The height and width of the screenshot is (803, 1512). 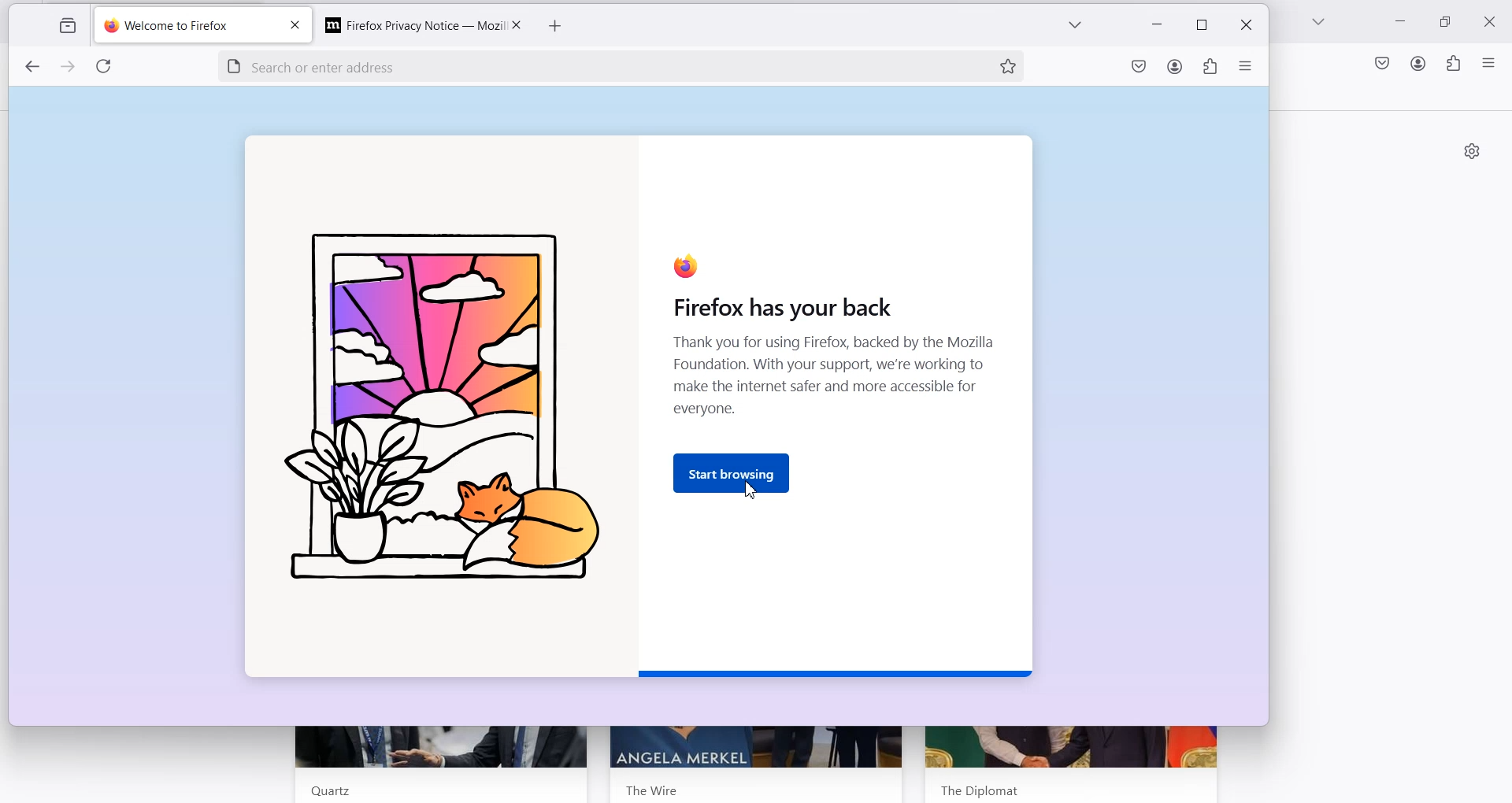 What do you see at coordinates (685, 265) in the screenshot?
I see `firefox logo` at bounding box center [685, 265].